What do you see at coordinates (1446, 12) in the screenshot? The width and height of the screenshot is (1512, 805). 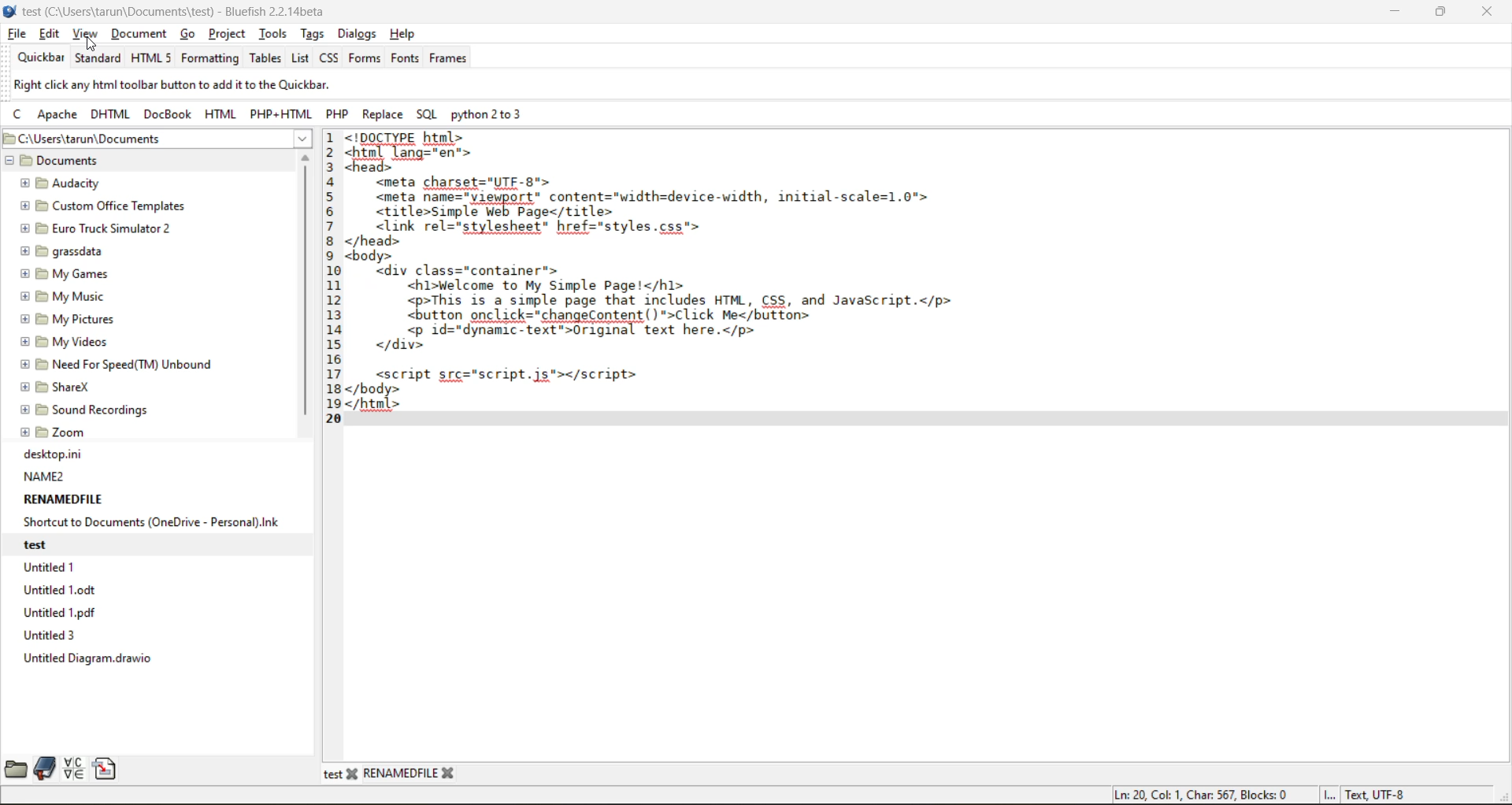 I see `maximize` at bounding box center [1446, 12].